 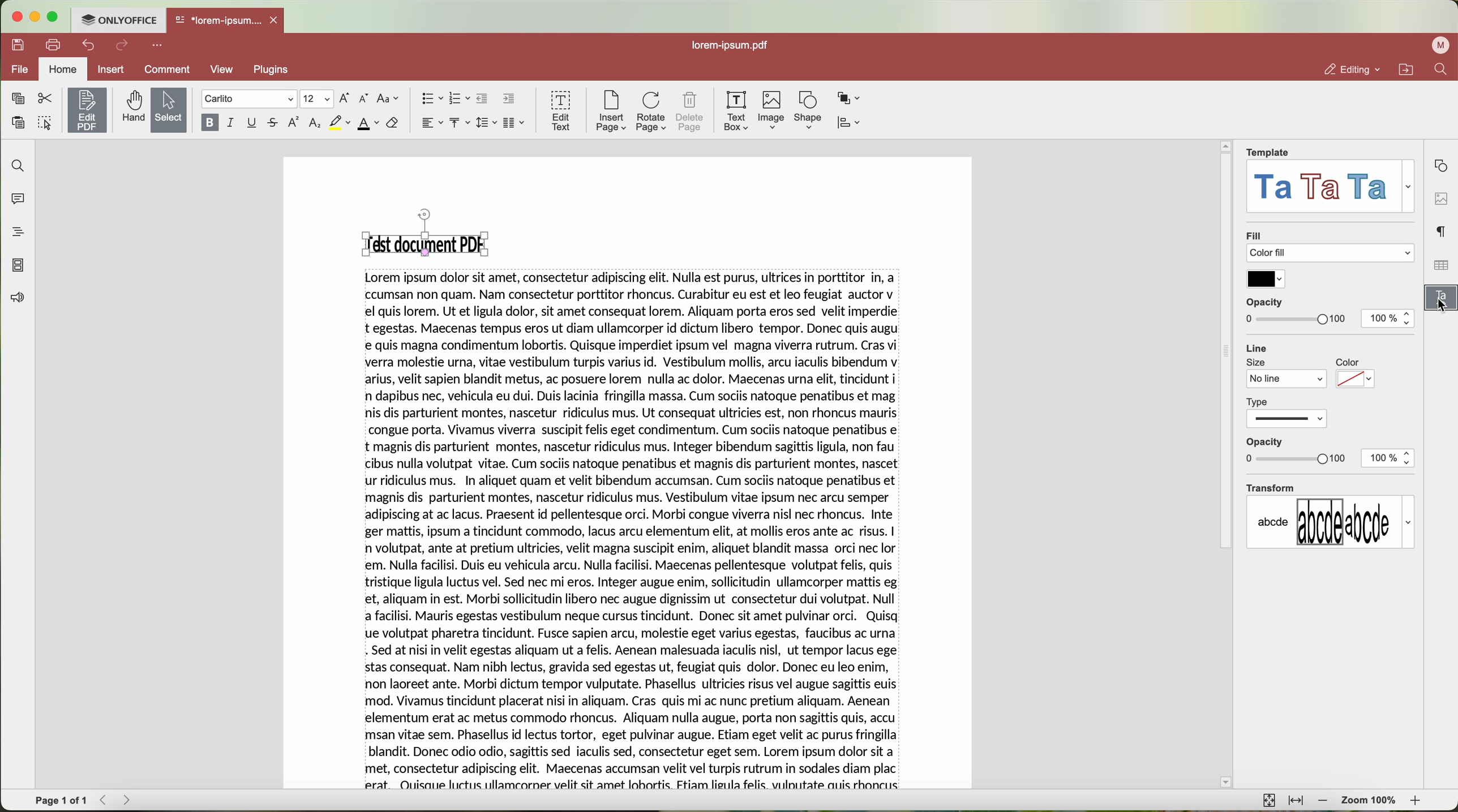 I want to click on arrange shape, so click(x=850, y=99).